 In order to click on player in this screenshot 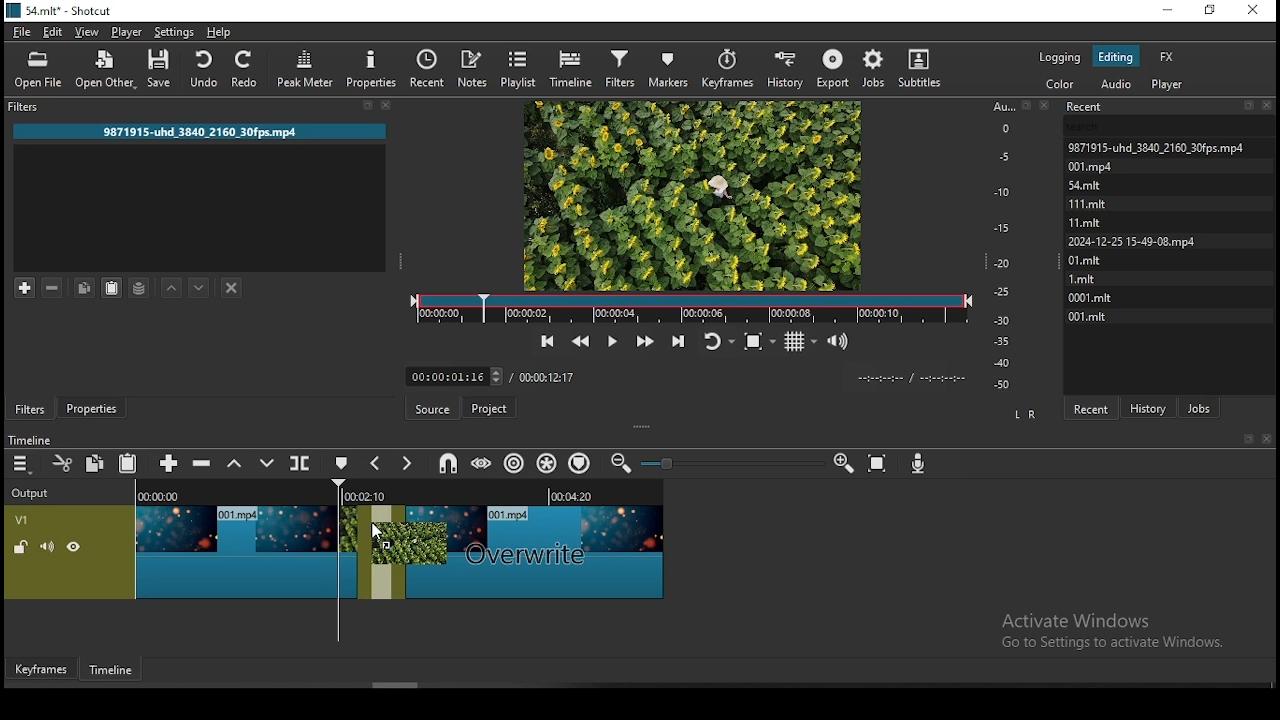, I will do `click(127, 32)`.